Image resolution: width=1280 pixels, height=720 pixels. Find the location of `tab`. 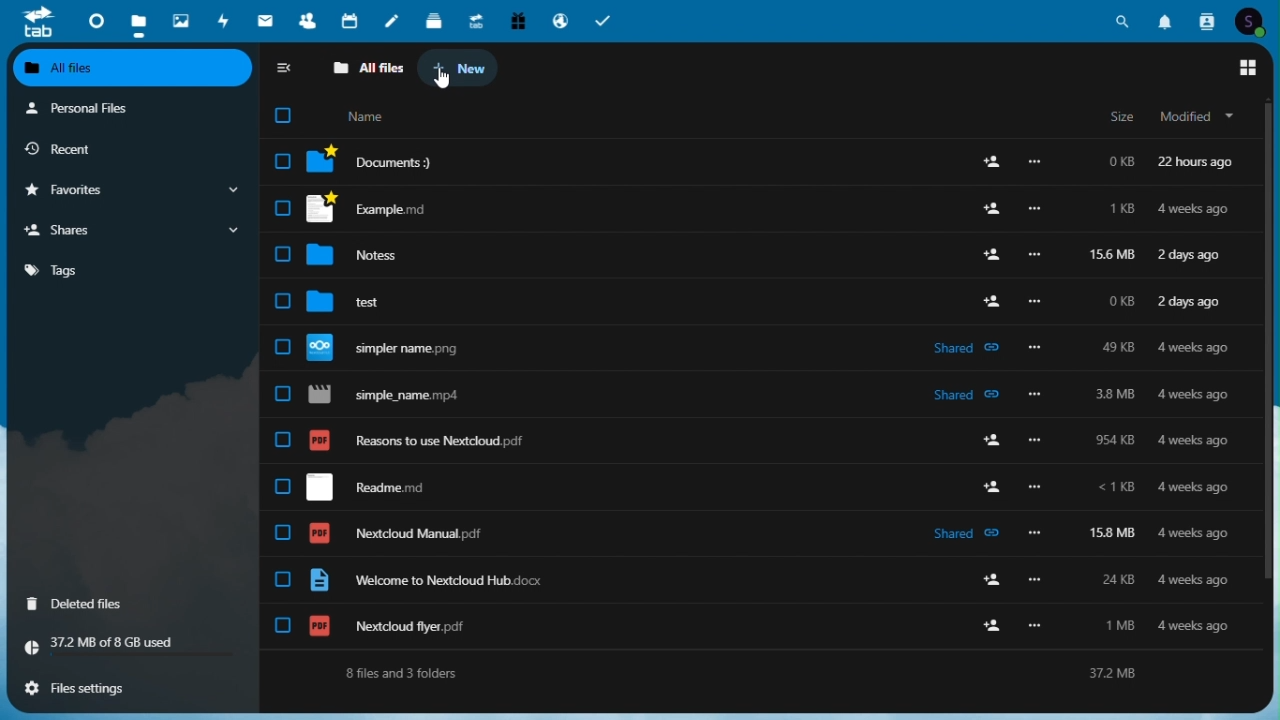

tab is located at coordinates (36, 22).